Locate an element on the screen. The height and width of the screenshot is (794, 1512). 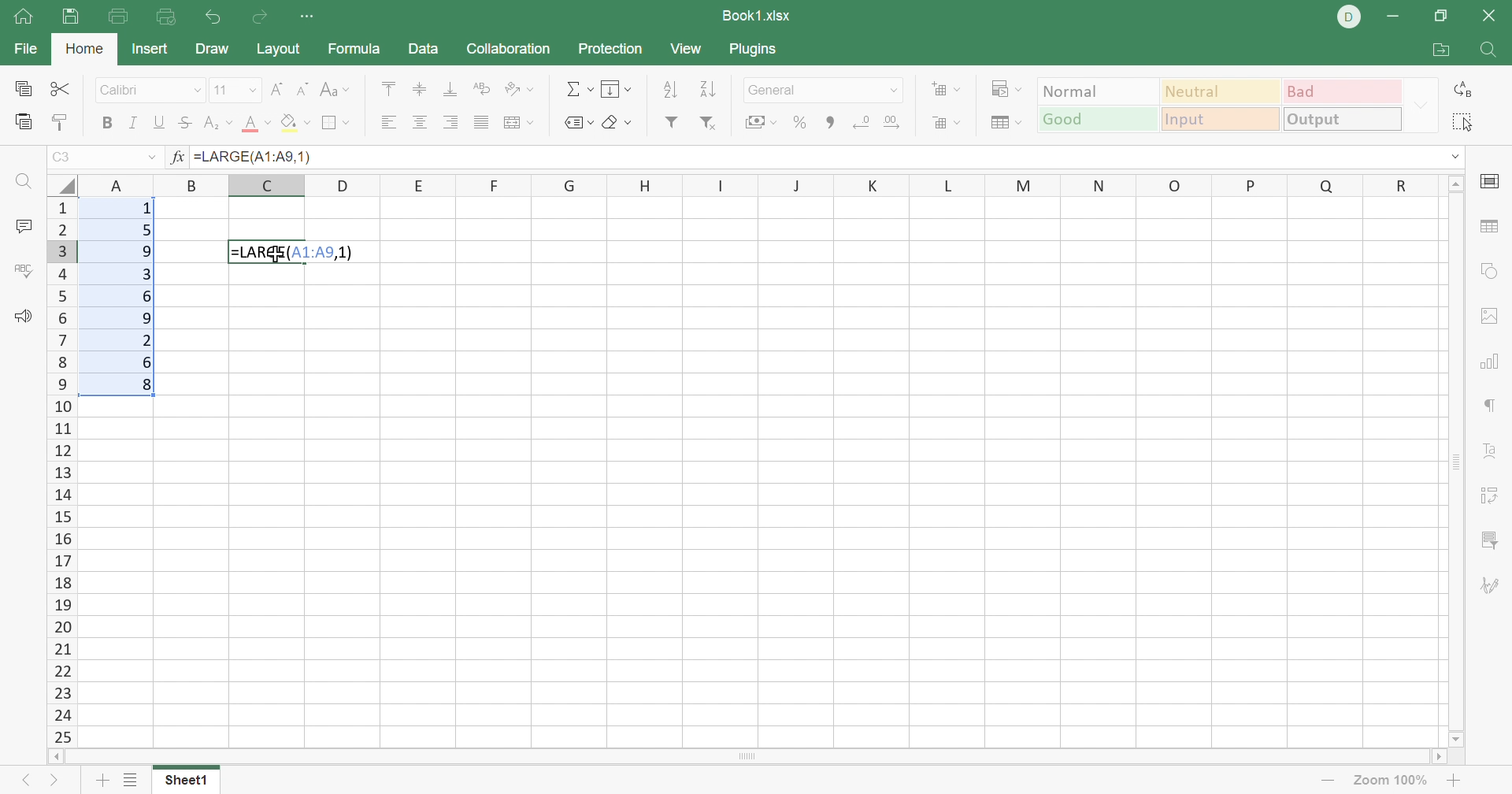
Italic is located at coordinates (133, 122).